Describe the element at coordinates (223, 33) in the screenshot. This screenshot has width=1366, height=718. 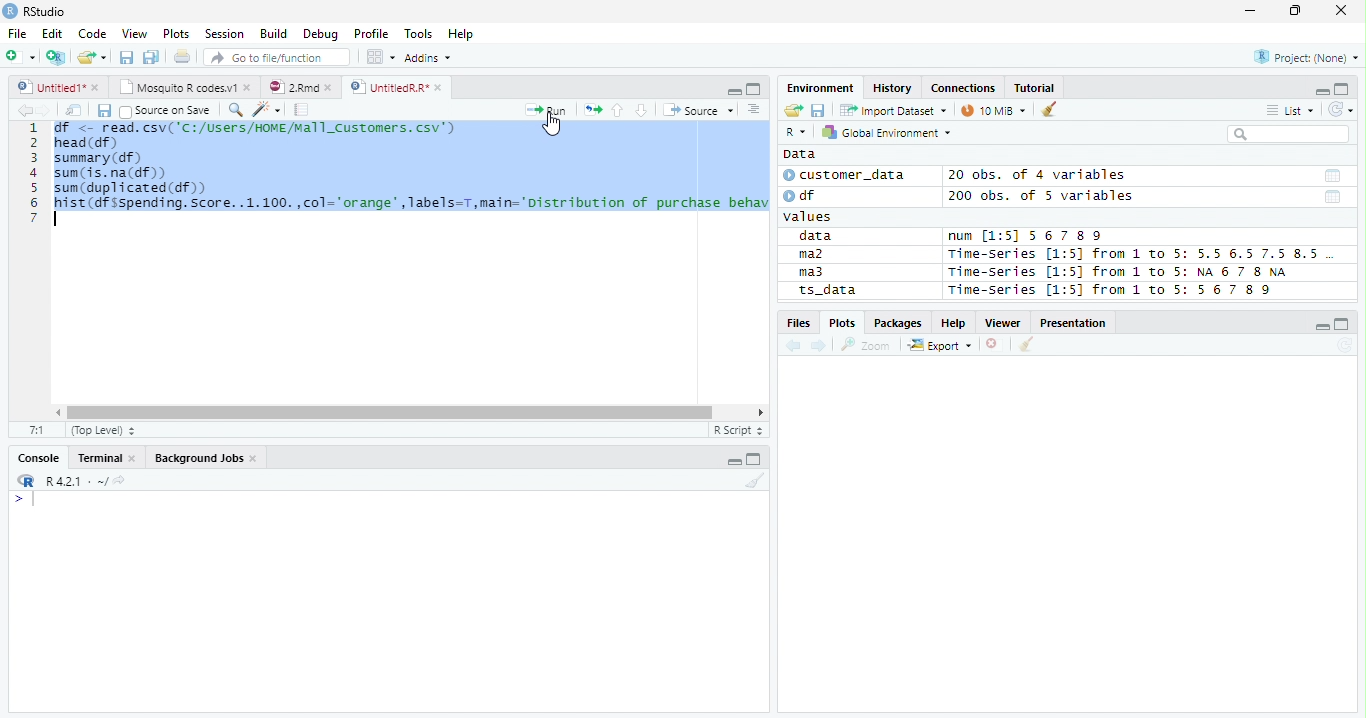
I see `Session` at that location.